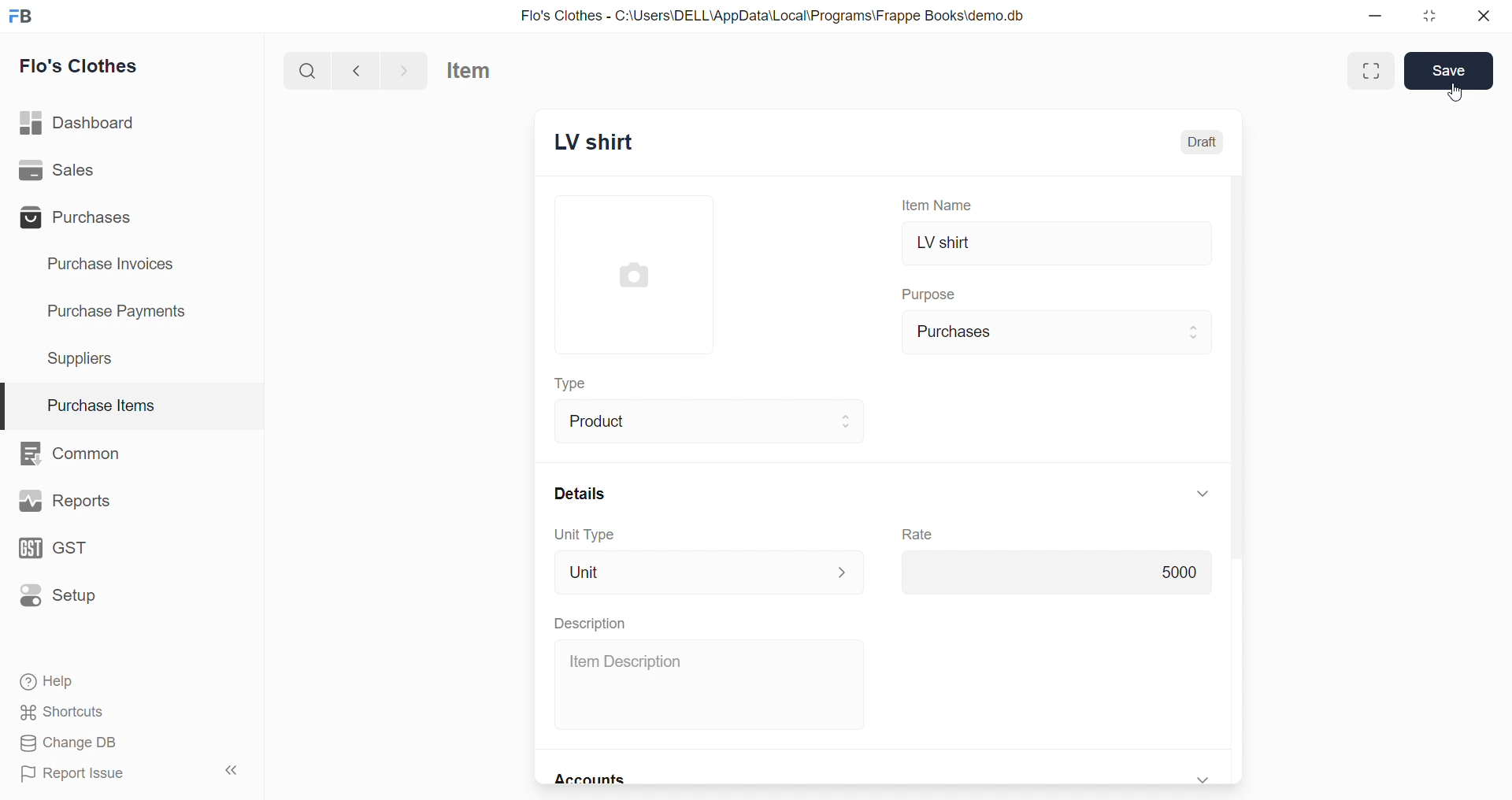 Image resolution: width=1512 pixels, height=800 pixels. What do you see at coordinates (132, 401) in the screenshot?
I see `Purchase Items` at bounding box center [132, 401].